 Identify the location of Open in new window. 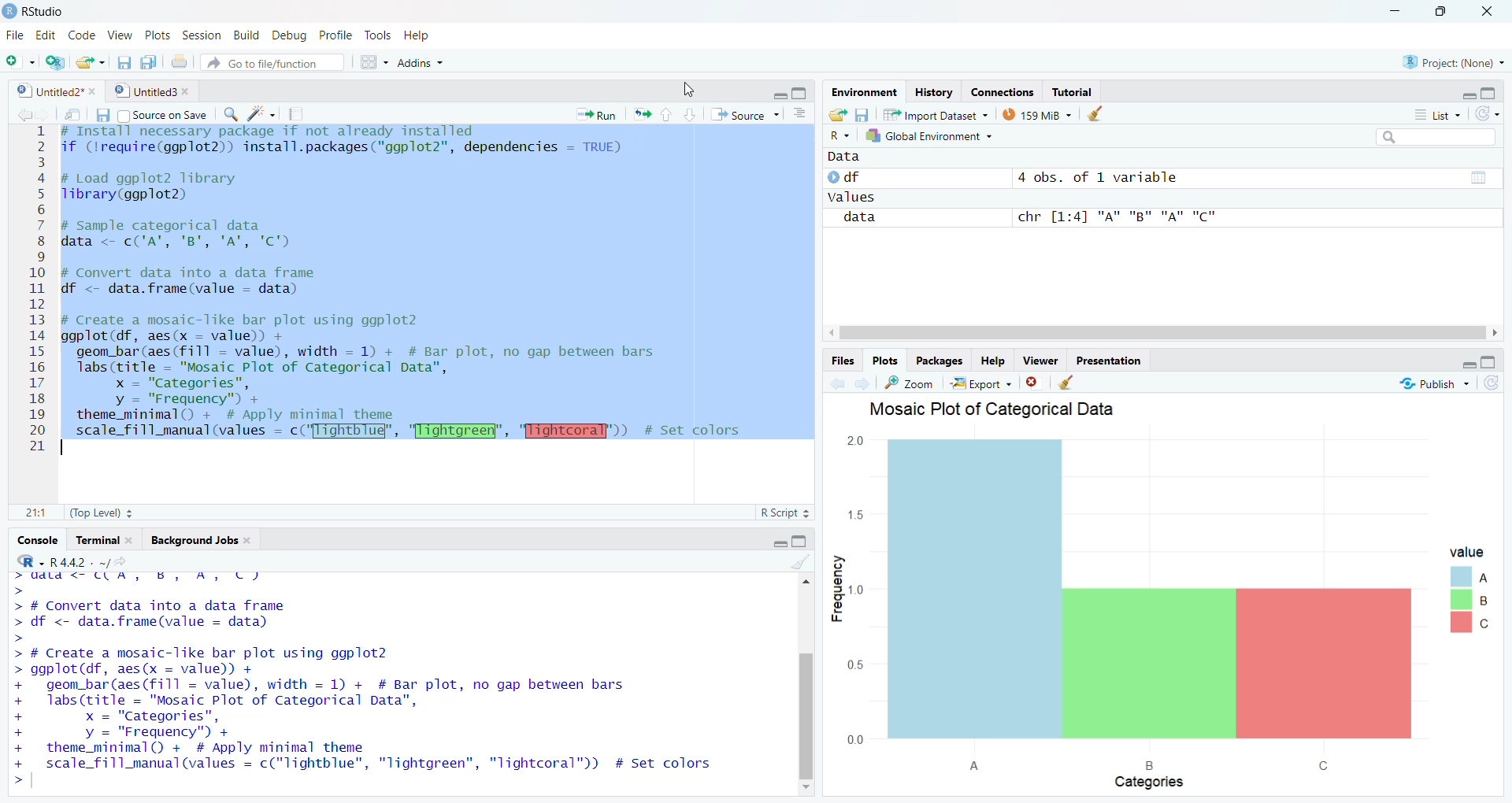
(74, 114).